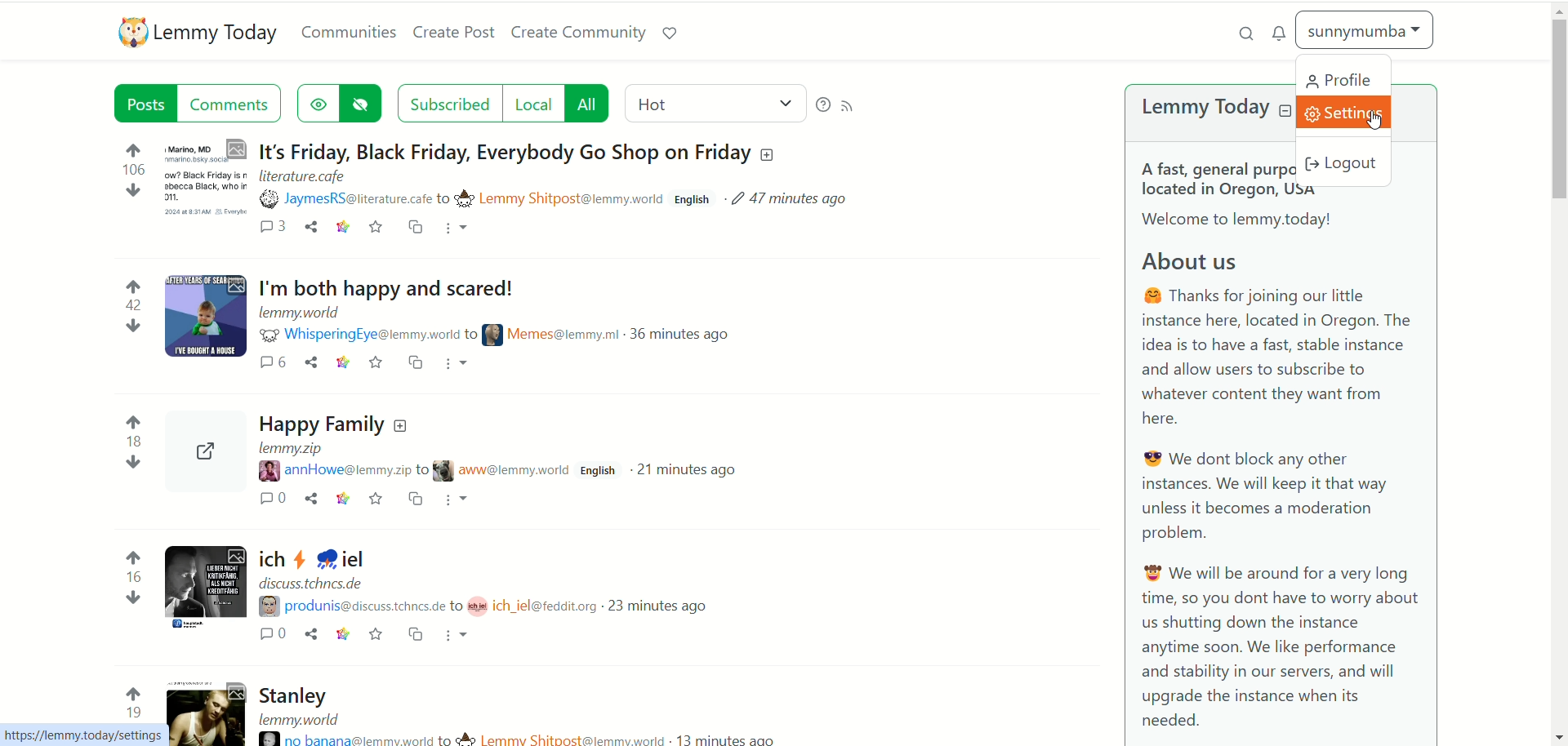  What do you see at coordinates (1365, 30) in the screenshot?
I see `account` at bounding box center [1365, 30].